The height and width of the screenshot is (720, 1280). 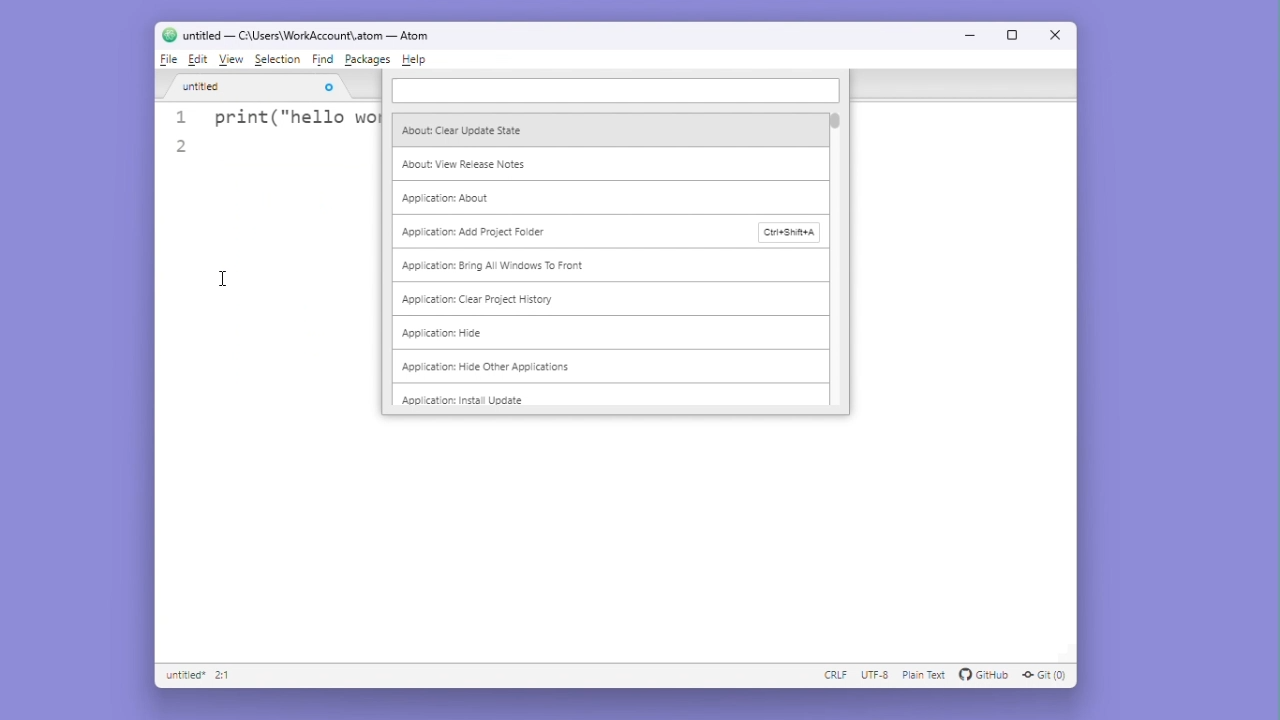 What do you see at coordinates (325, 61) in the screenshot?
I see `Find` at bounding box center [325, 61].